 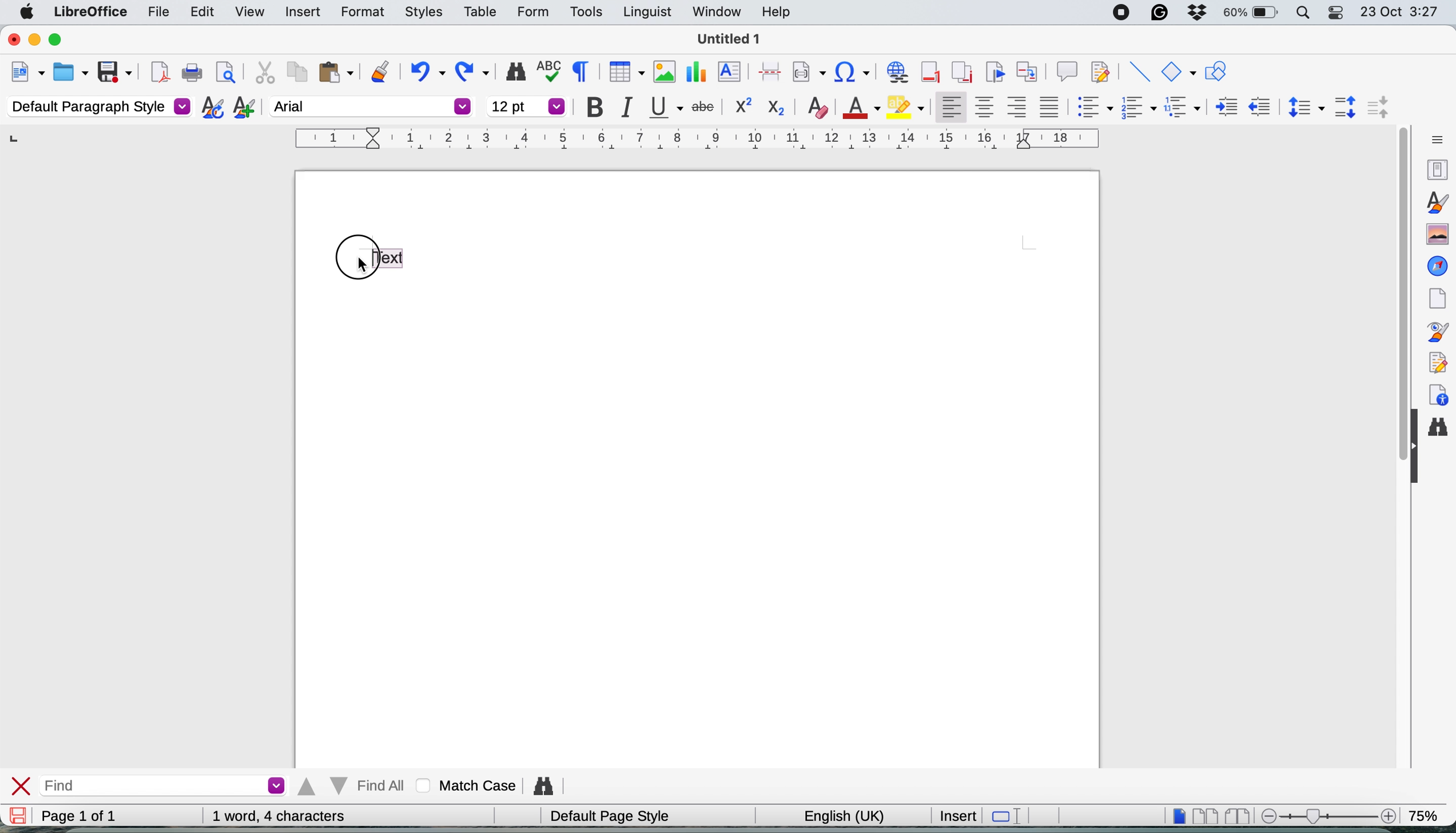 What do you see at coordinates (818, 108) in the screenshot?
I see `clear direct formatting` at bounding box center [818, 108].